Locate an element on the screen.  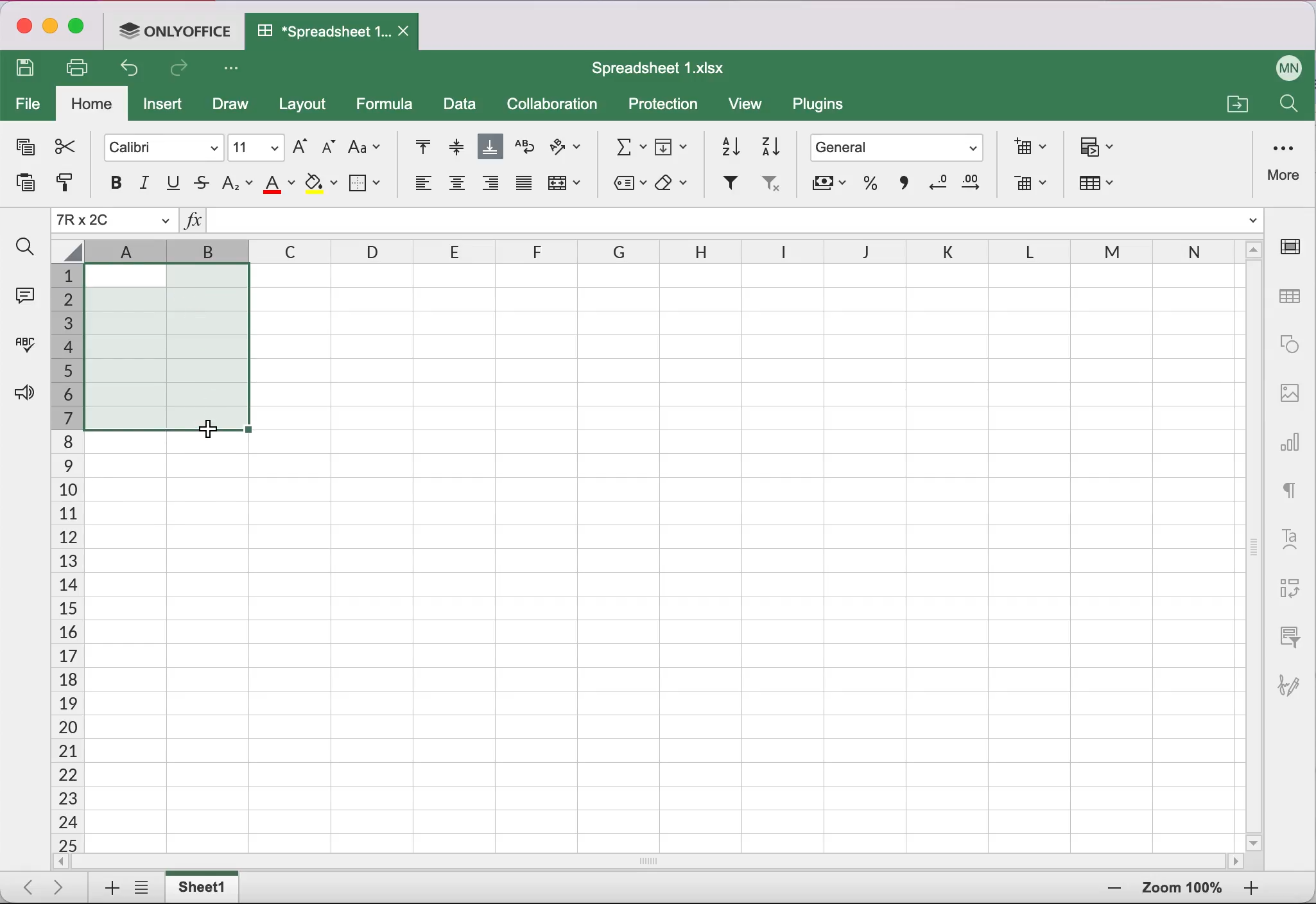
insert cells is located at coordinates (1026, 146).